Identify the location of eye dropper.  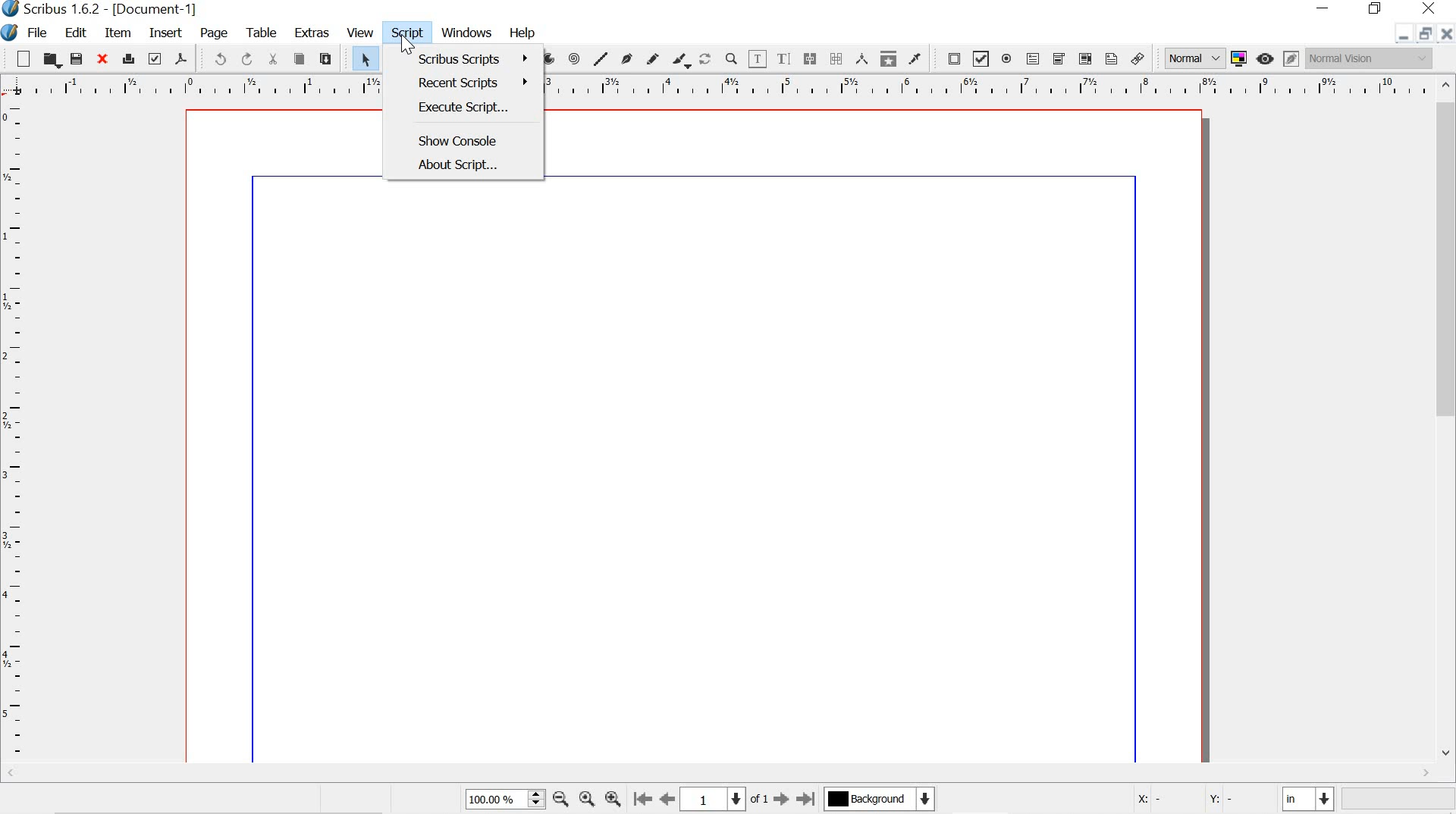
(915, 59).